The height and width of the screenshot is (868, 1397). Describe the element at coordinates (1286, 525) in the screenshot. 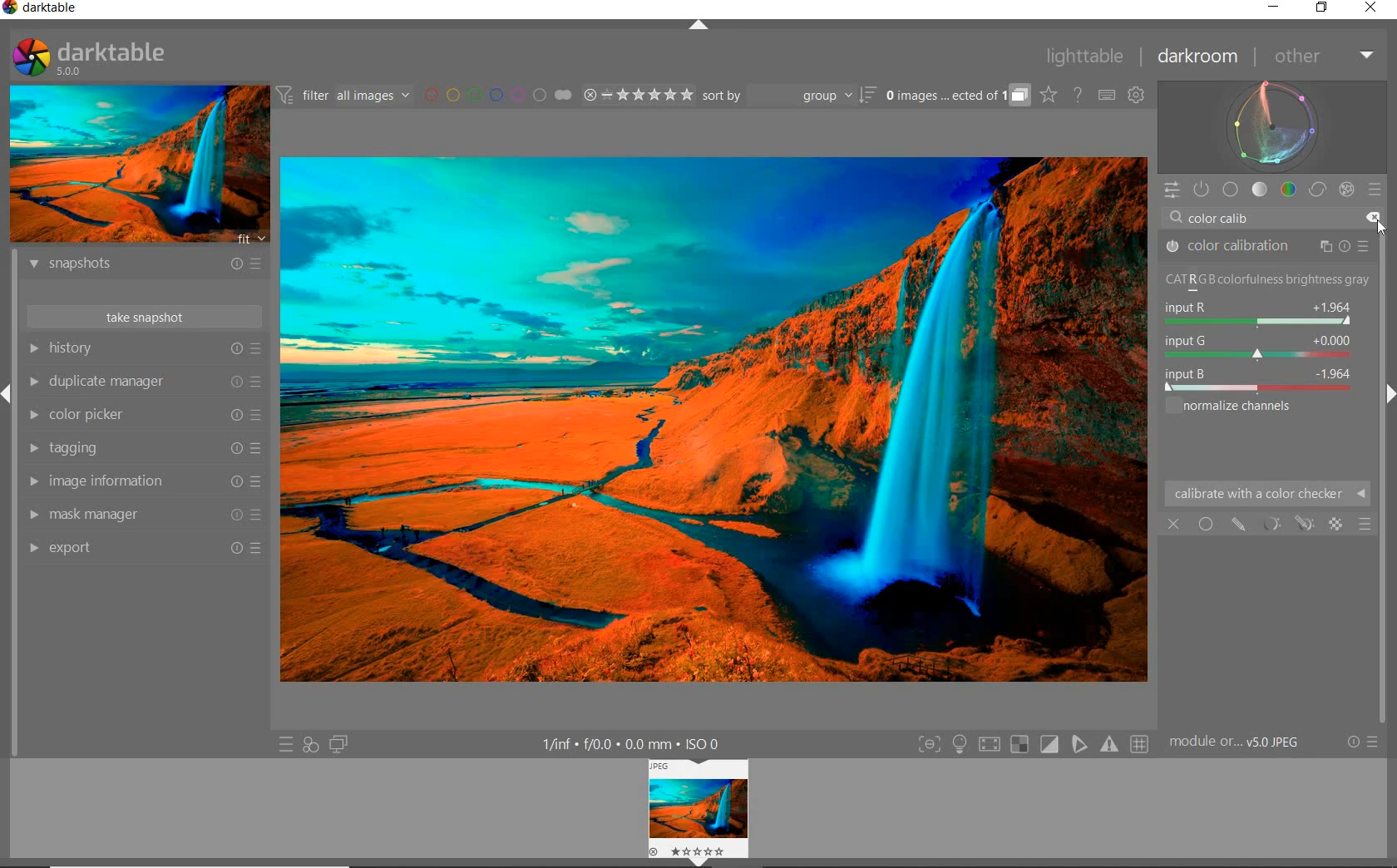

I see `MASK OPTIONS` at that location.